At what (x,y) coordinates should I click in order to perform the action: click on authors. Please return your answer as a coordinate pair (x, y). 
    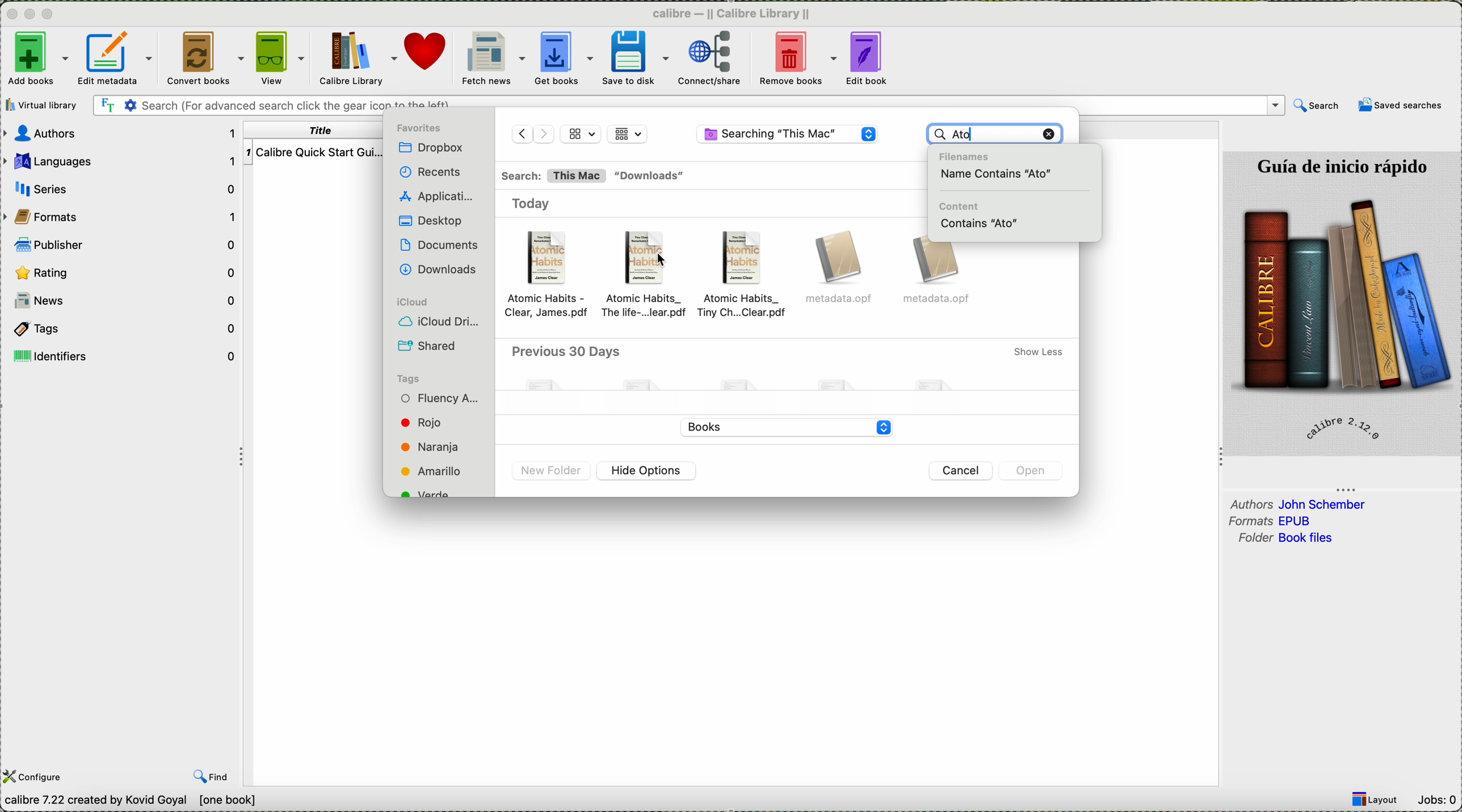
    Looking at the image, I should click on (1299, 504).